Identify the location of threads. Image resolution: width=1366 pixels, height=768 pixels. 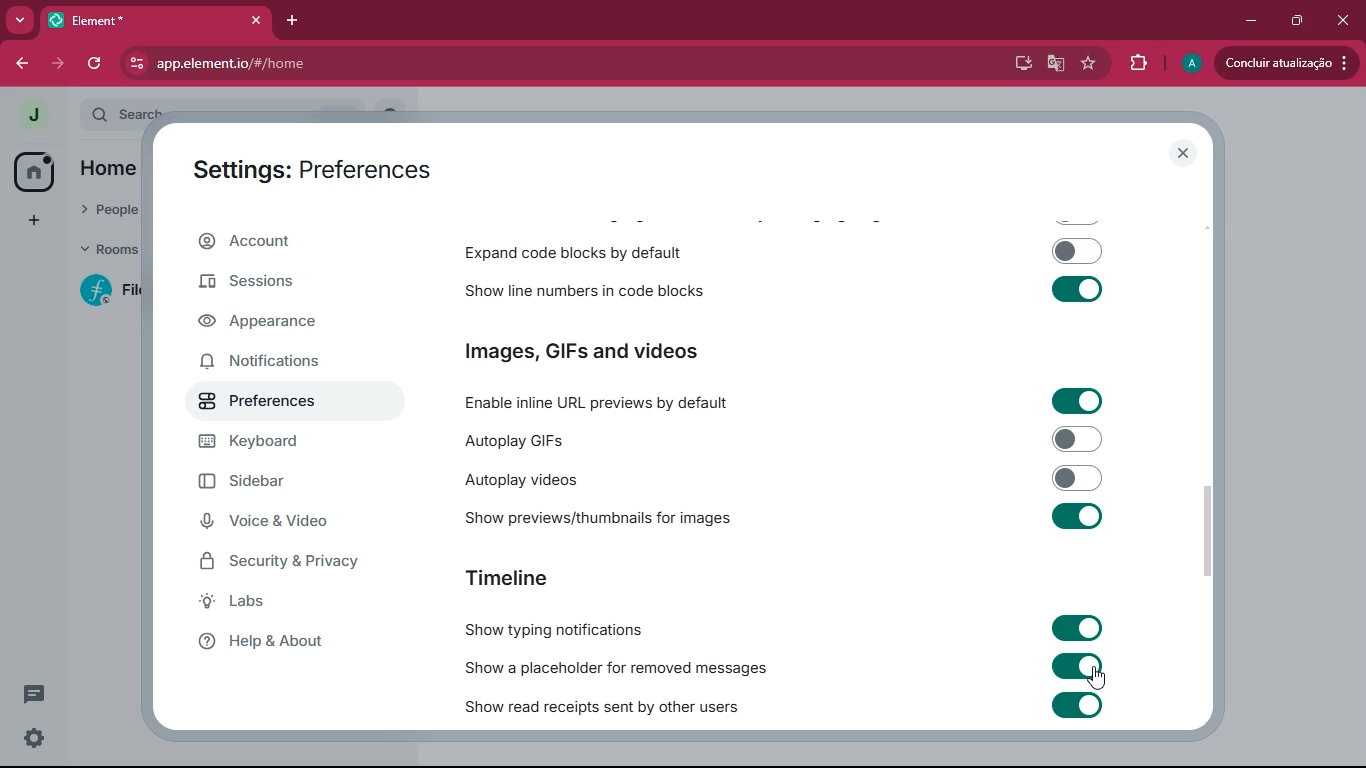
(34, 694).